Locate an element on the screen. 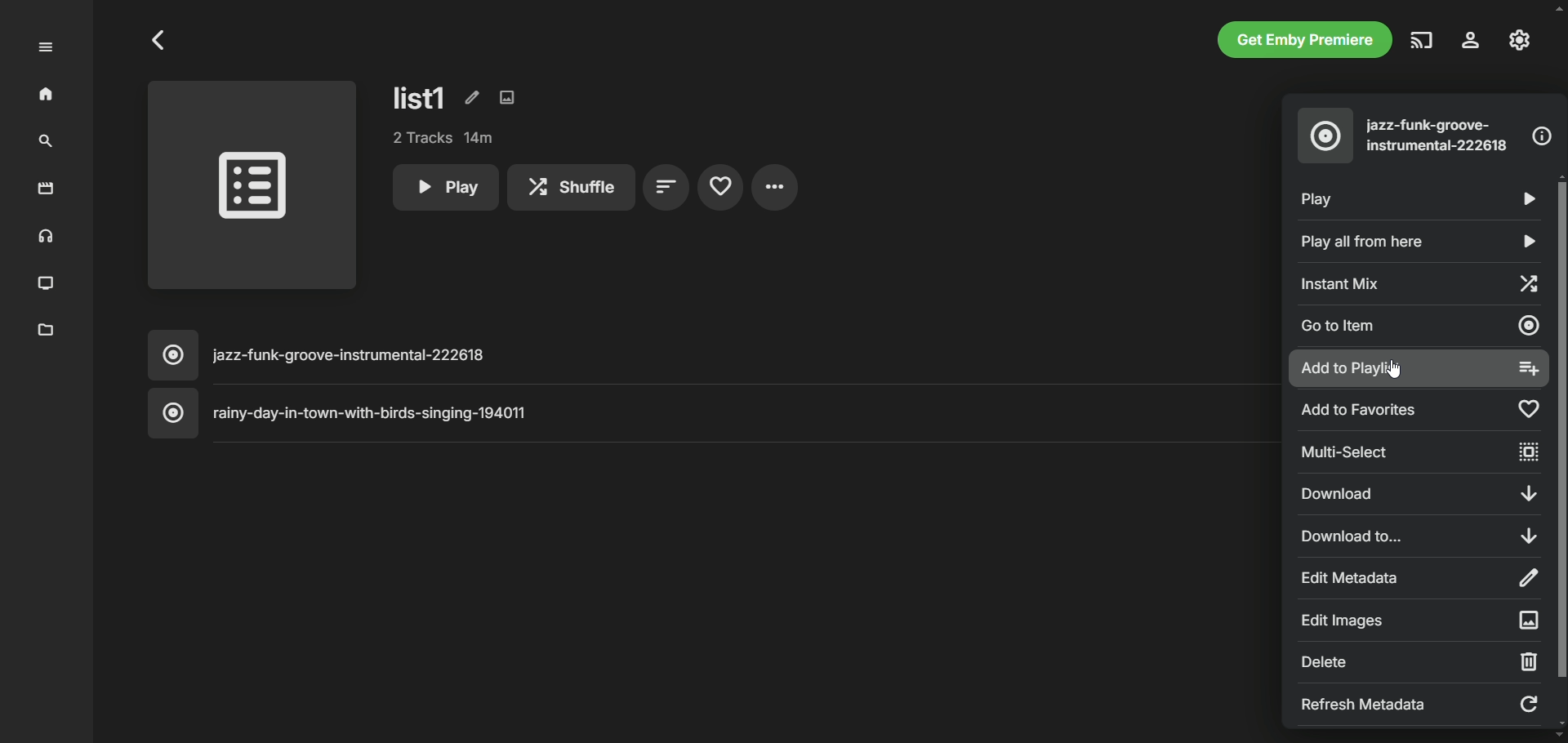 The image size is (1568, 743). play all from here is located at coordinates (1420, 242).